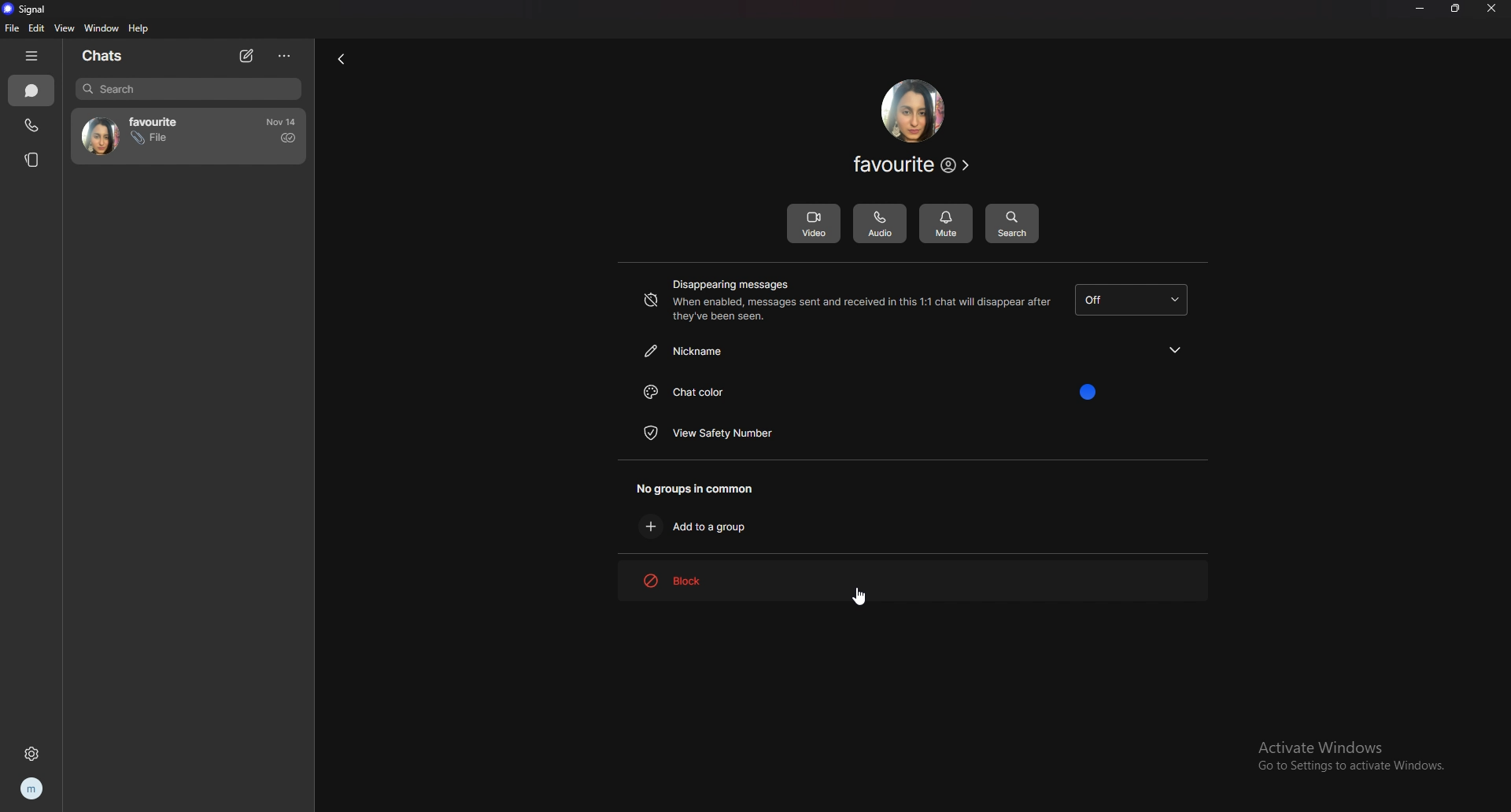 Image resolution: width=1511 pixels, height=812 pixels. What do you see at coordinates (13, 28) in the screenshot?
I see `file` at bounding box center [13, 28].